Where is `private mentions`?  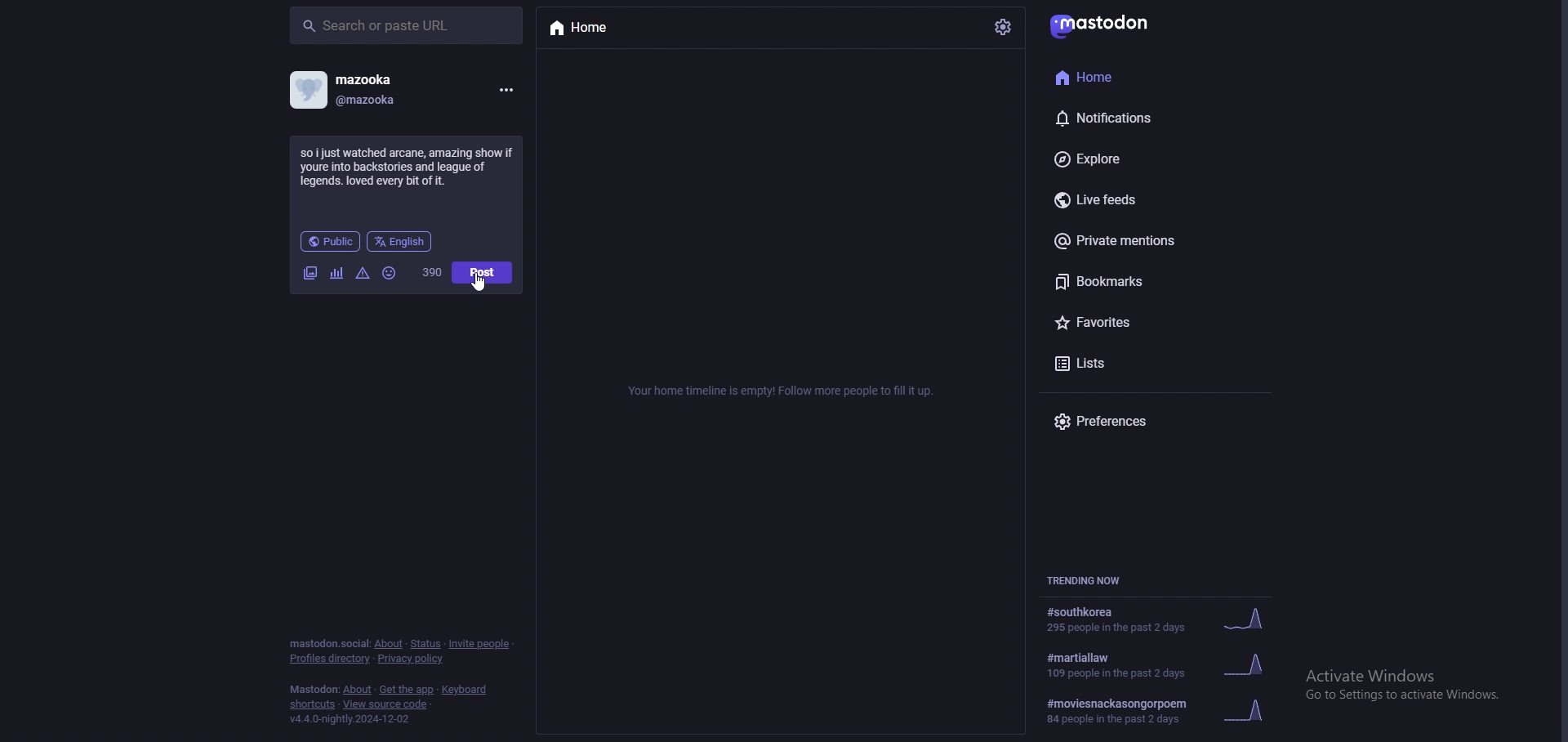
private mentions is located at coordinates (1141, 240).